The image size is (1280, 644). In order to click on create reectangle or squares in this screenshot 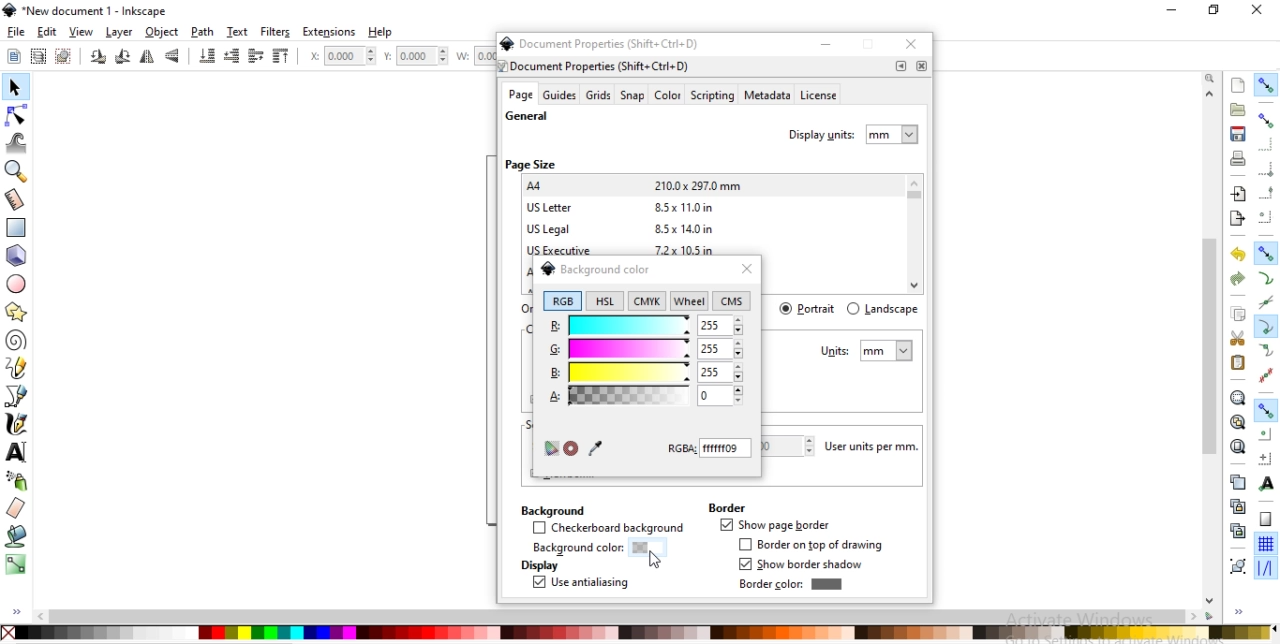, I will do `click(16, 226)`.